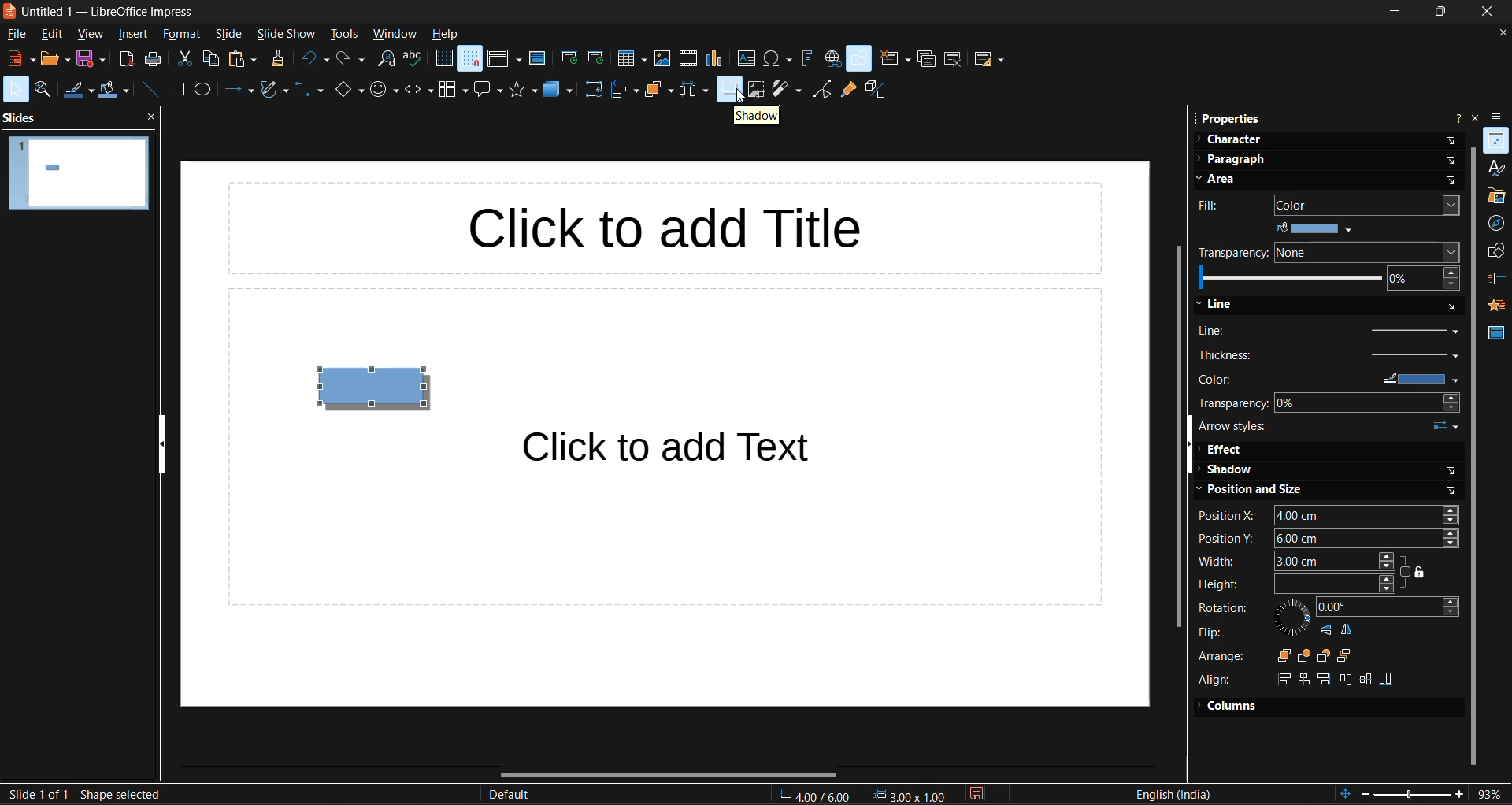 Image resolution: width=1512 pixels, height=805 pixels. Describe the element at coordinates (22, 118) in the screenshot. I see `slides` at that location.